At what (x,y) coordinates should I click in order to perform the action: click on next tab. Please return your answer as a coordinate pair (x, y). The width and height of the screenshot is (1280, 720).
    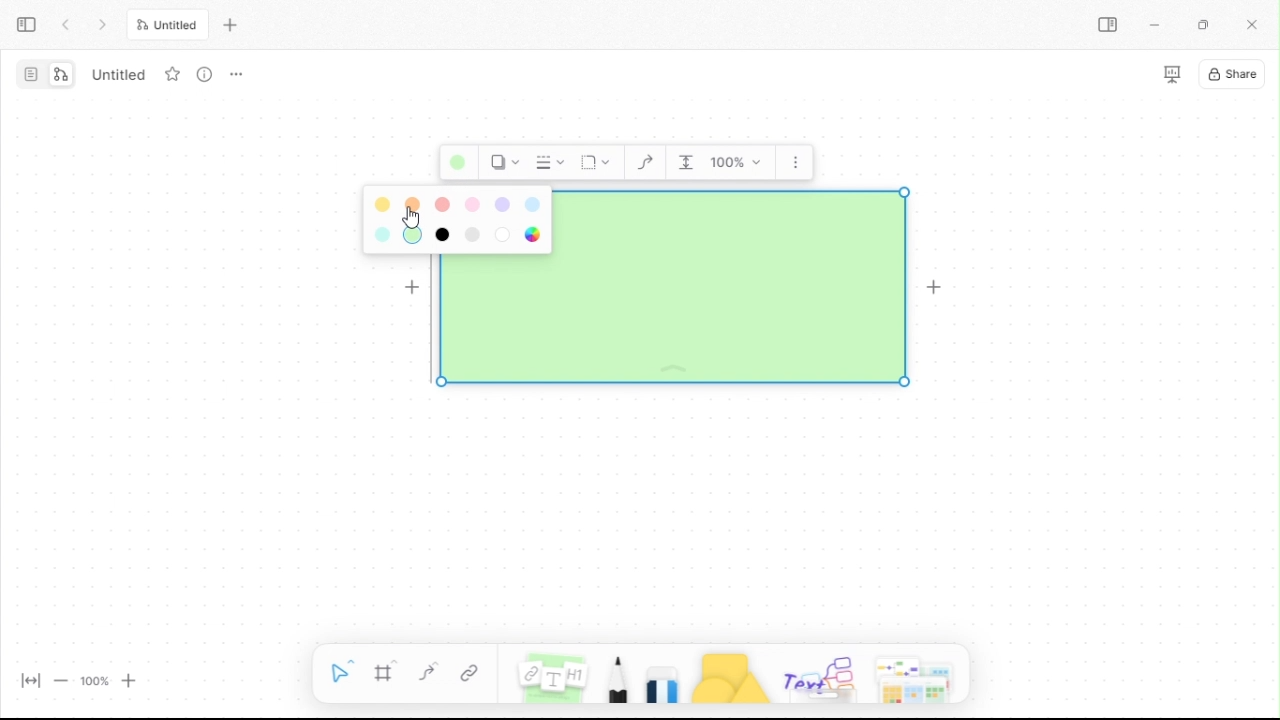
    Looking at the image, I should click on (104, 26).